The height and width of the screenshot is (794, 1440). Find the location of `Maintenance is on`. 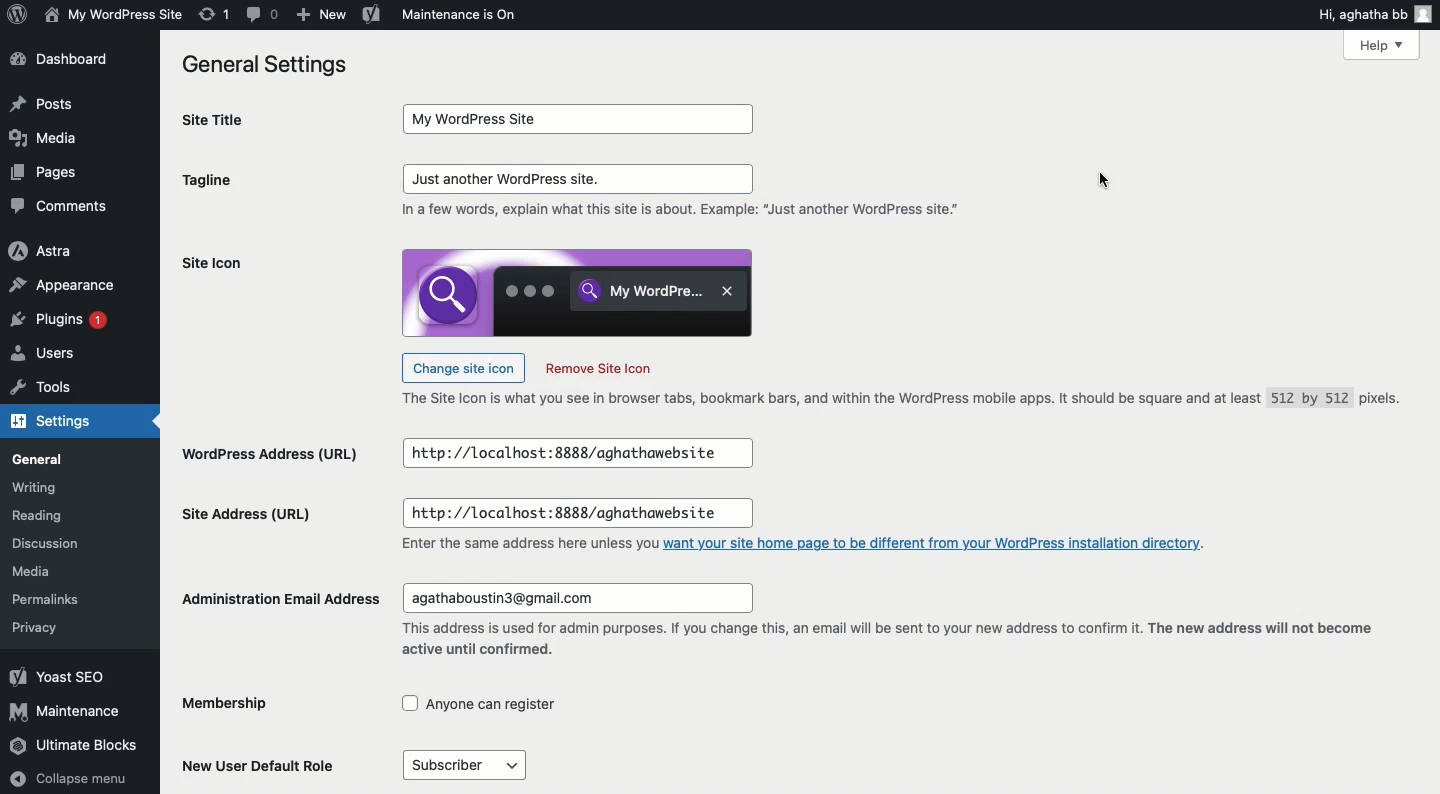

Maintenance is on is located at coordinates (459, 14).